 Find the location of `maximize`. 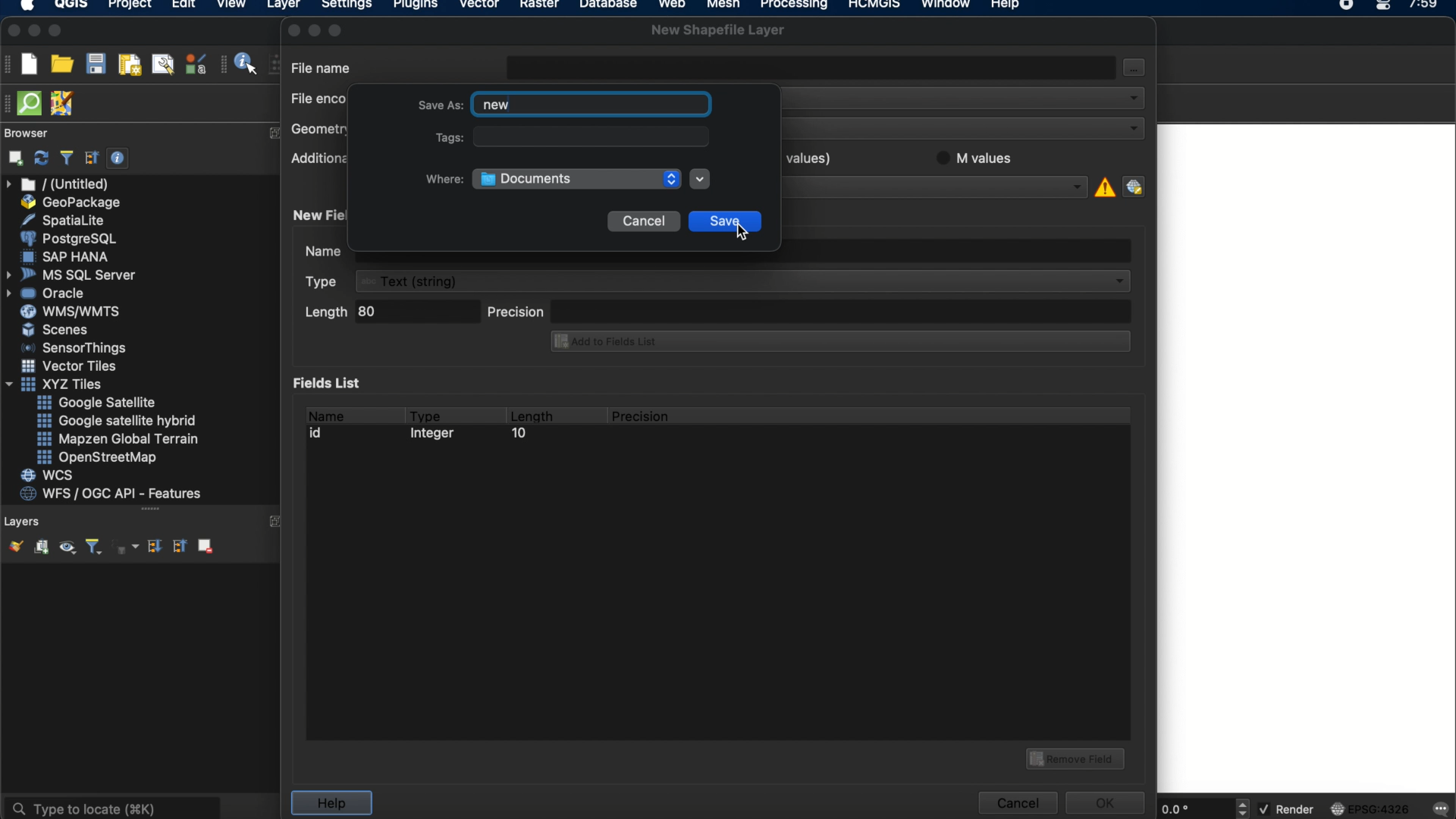

maximize is located at coordinates (56, 32).